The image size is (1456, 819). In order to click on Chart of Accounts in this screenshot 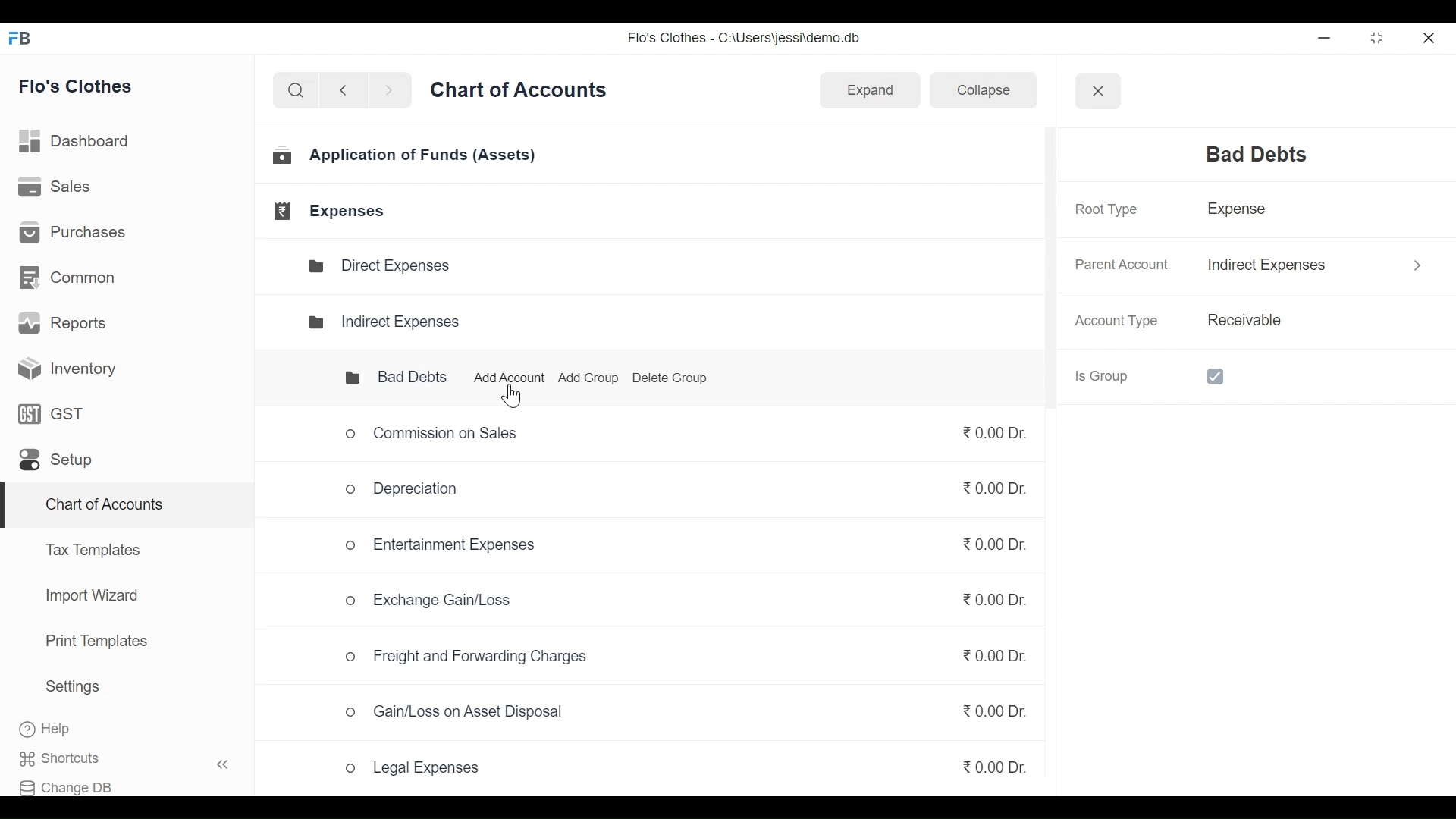, I will do `click(522, 95)`.